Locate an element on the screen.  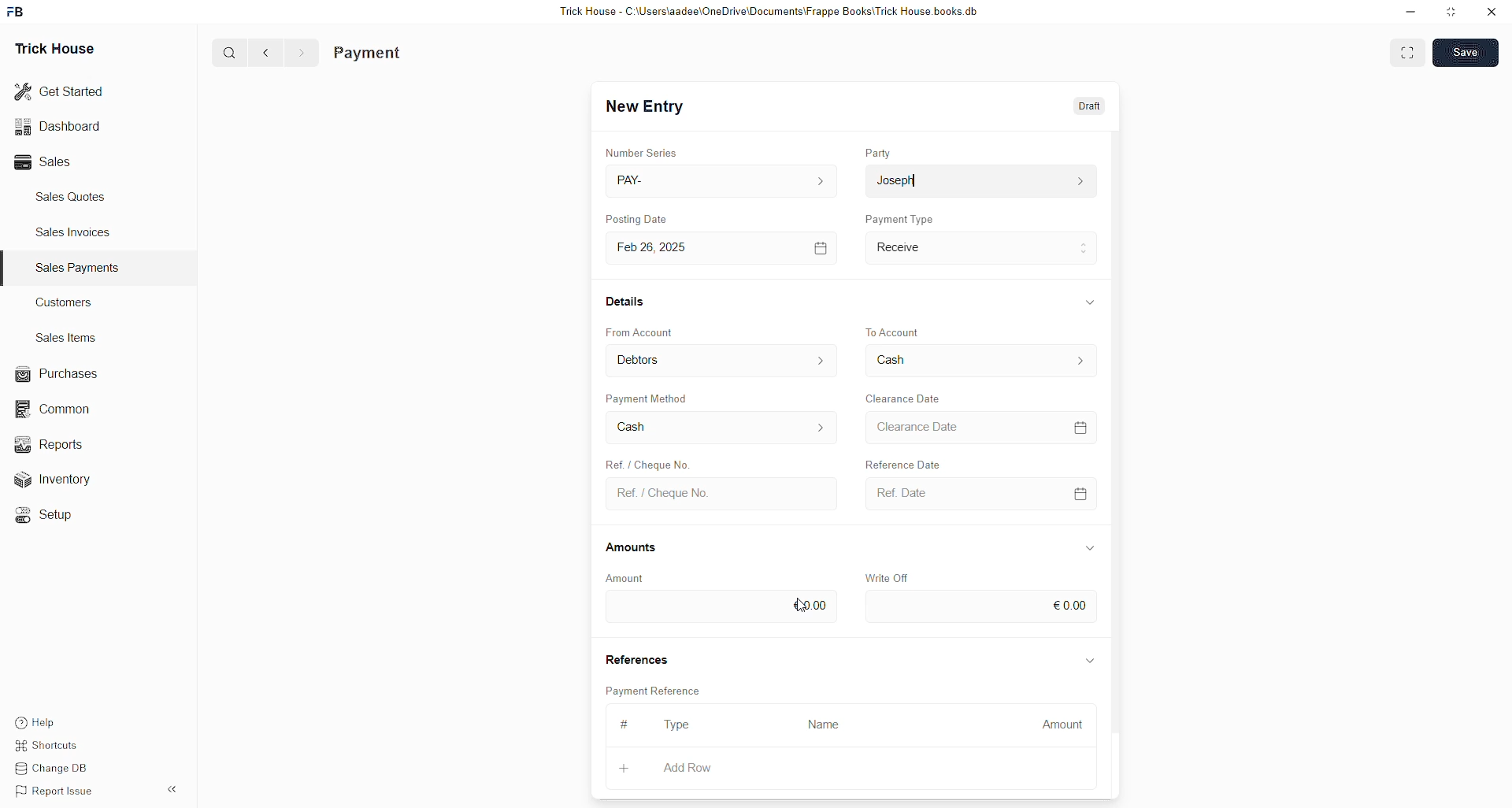
Customers is located at coordinates (69, 302).